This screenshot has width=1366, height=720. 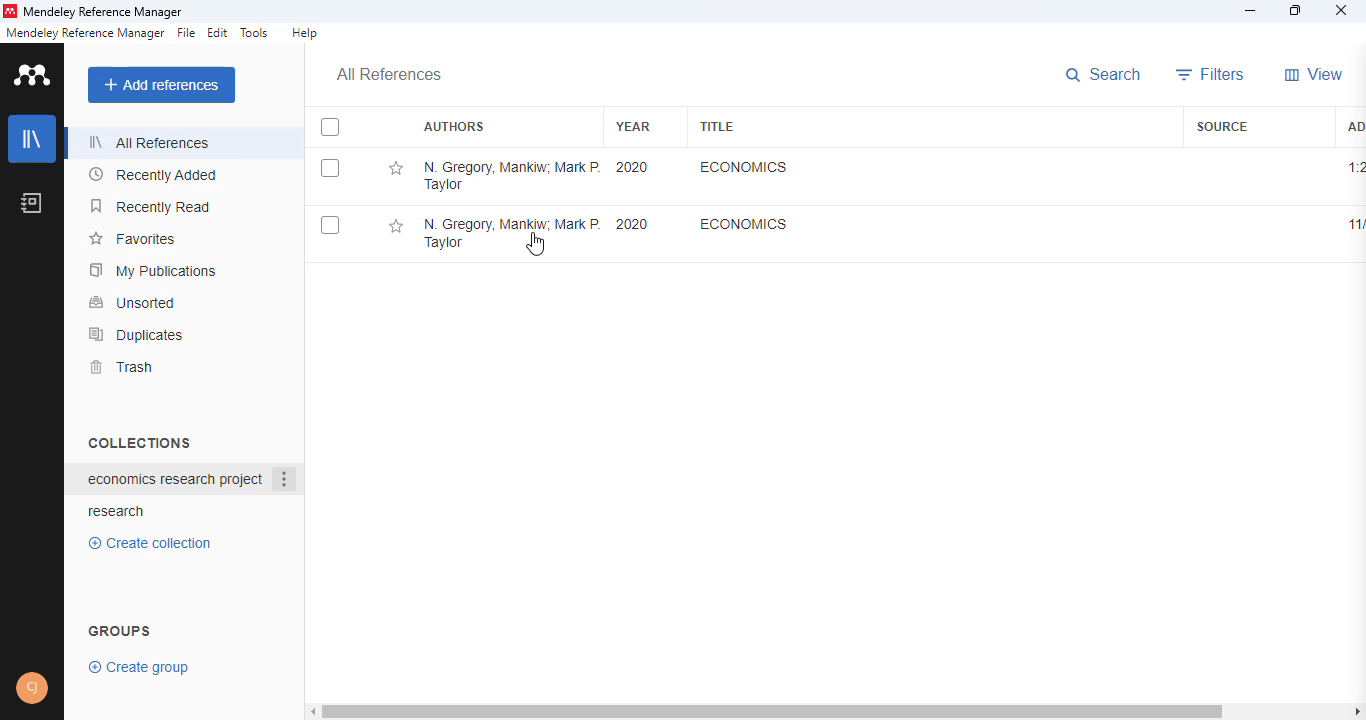 What do you see at coordinates (1211, 74) in the screenshot?
I see `filters` at bounding box center [1211, 74].